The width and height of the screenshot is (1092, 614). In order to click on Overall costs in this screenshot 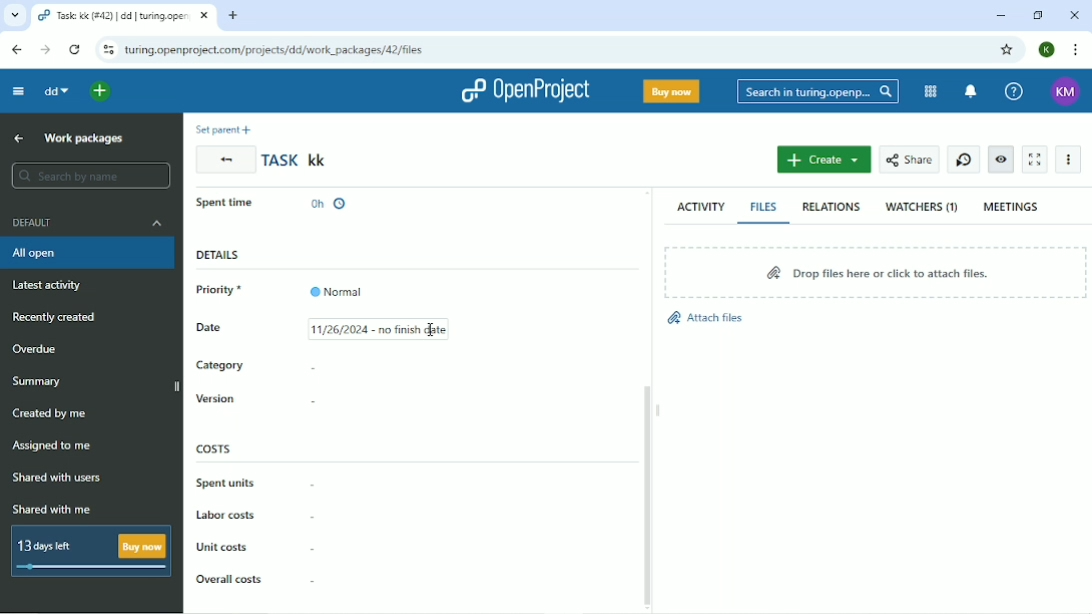, I will do `click(227, 579)`.